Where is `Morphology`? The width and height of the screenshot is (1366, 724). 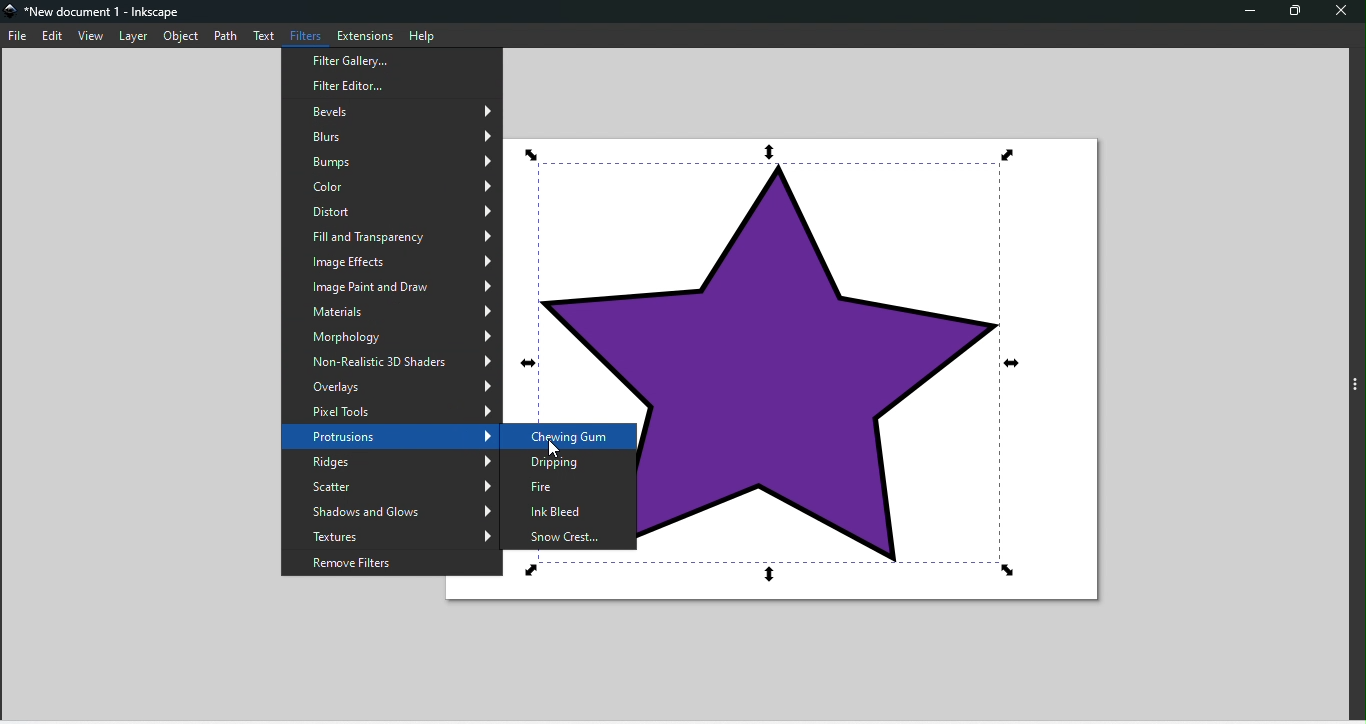 Morphology is located at coordinates (392, 335).